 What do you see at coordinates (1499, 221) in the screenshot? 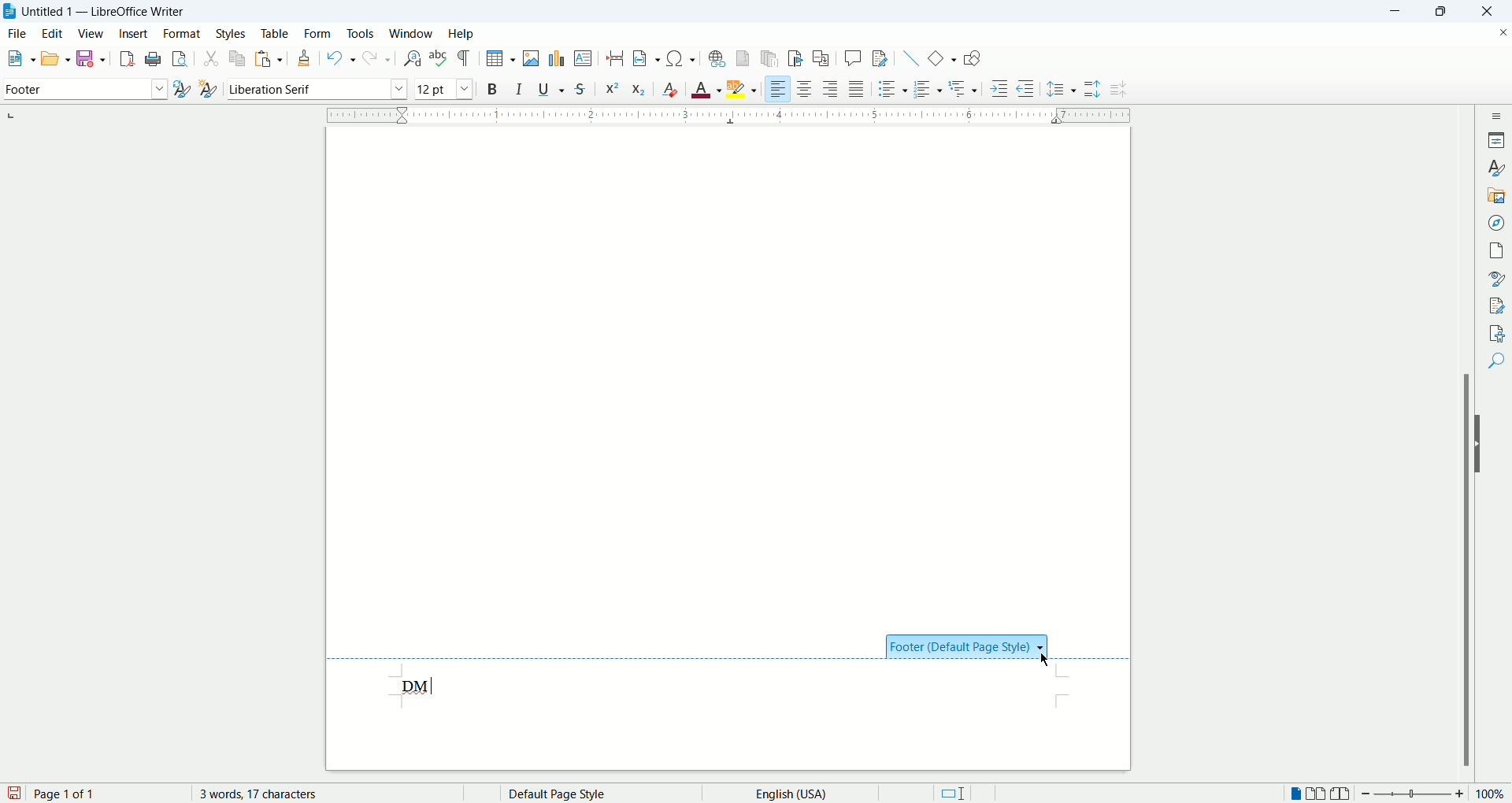
I see `navigator` at bounding box center [1499, 221].